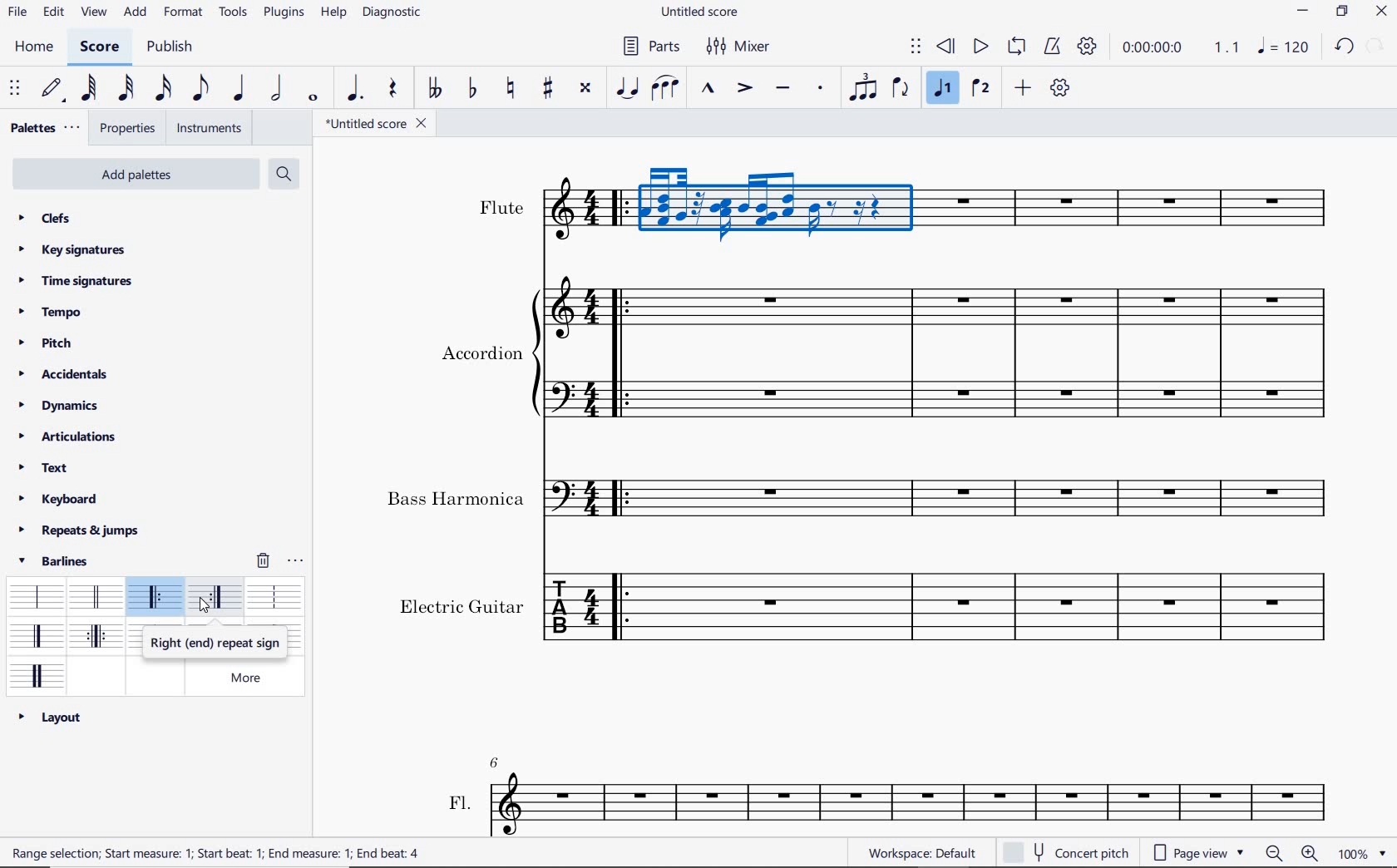 This screenshot has width=1397, height=868. I want to click on staccato, so click(822, 87).